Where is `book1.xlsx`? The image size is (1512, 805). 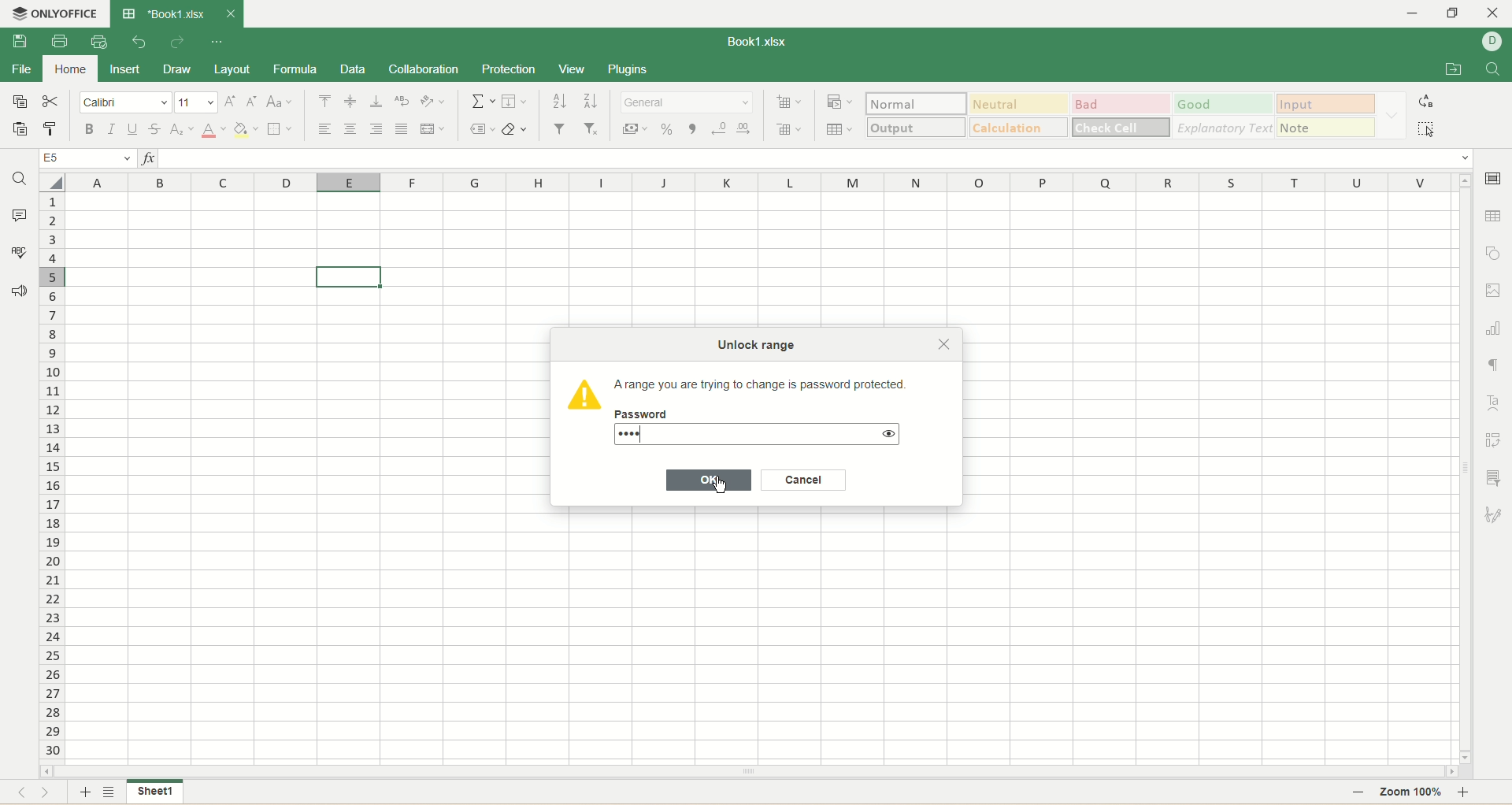
book1.xlsx is located at coordinates (161, 13).